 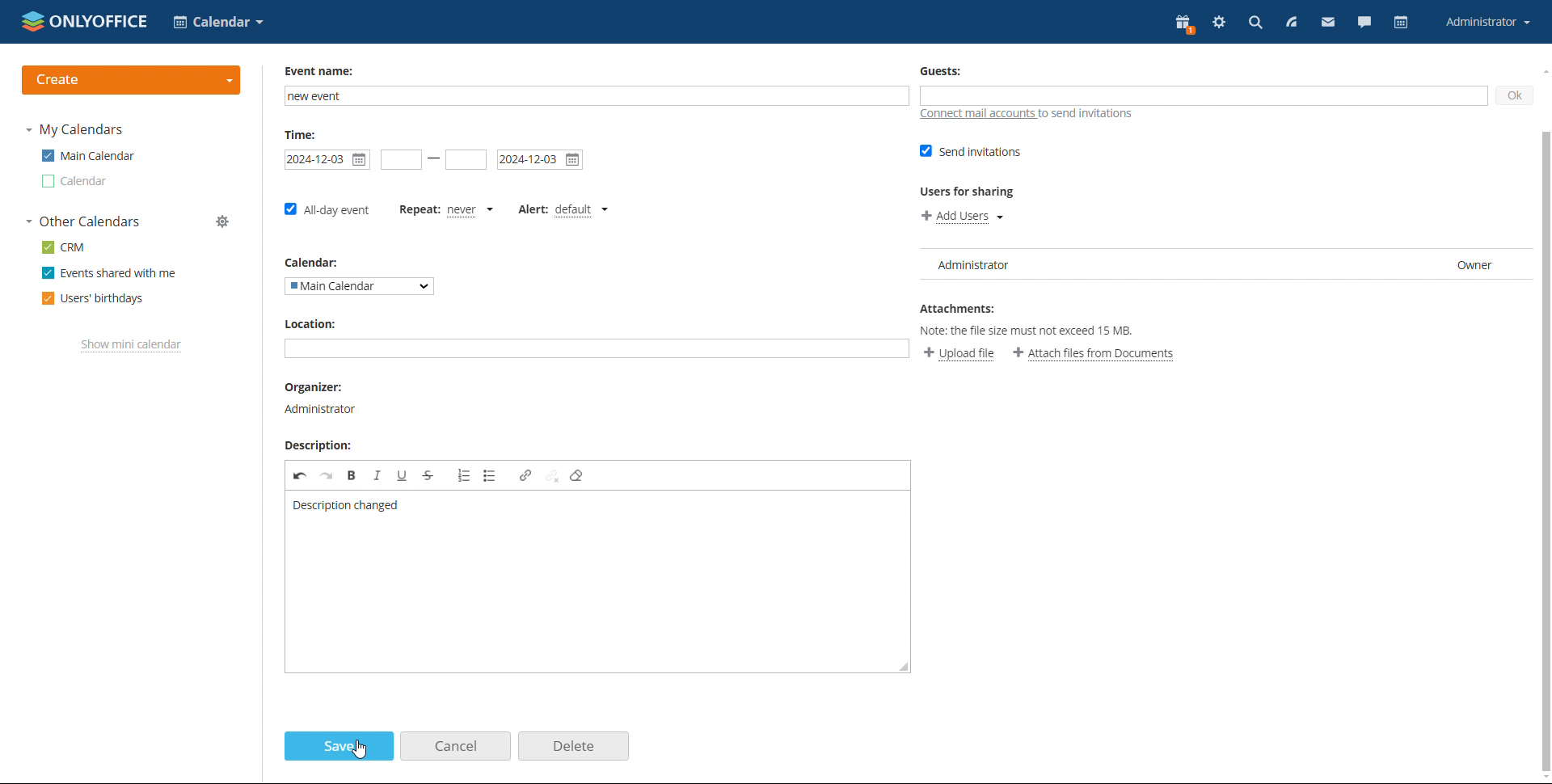 What do you see at coordinates (327, 213) in the screenshot?
I see `all-day event checkbox` at bounding box center [327, 213].